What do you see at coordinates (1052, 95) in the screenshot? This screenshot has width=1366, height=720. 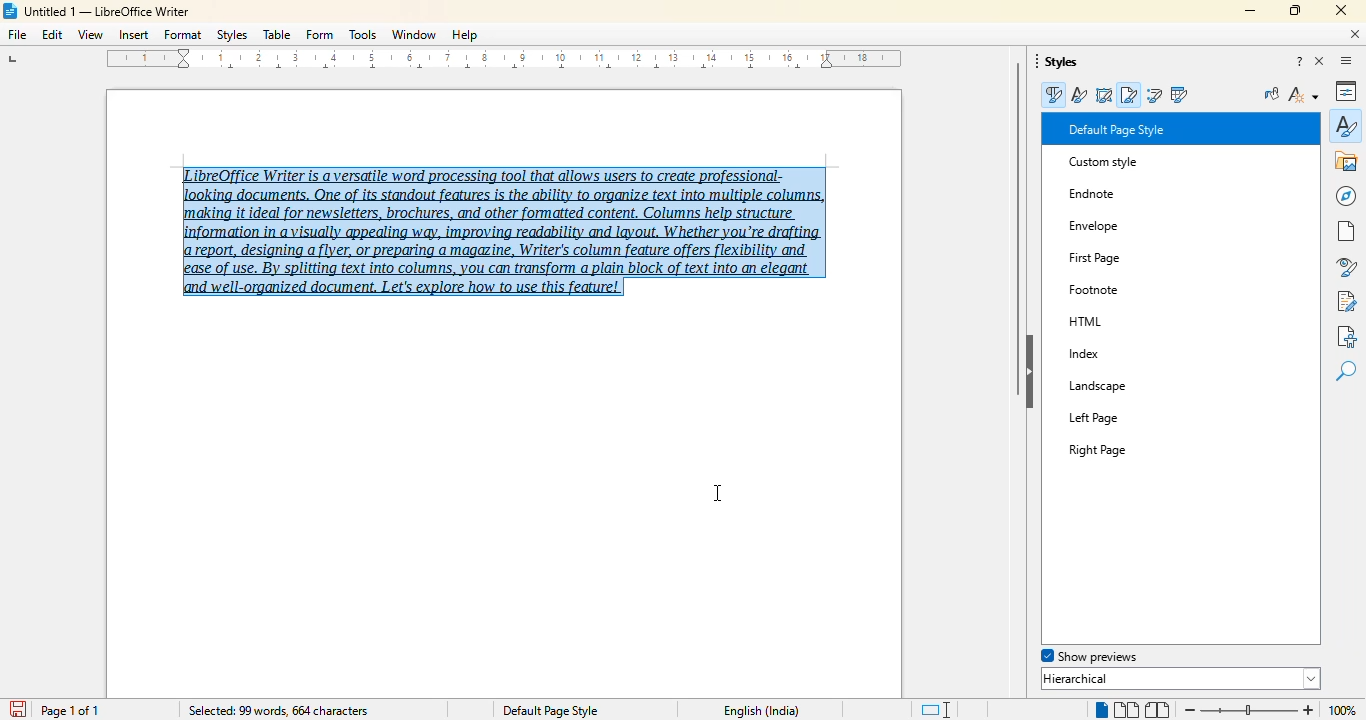 I see `paragraph styles` at bounding box center [1052, 95].